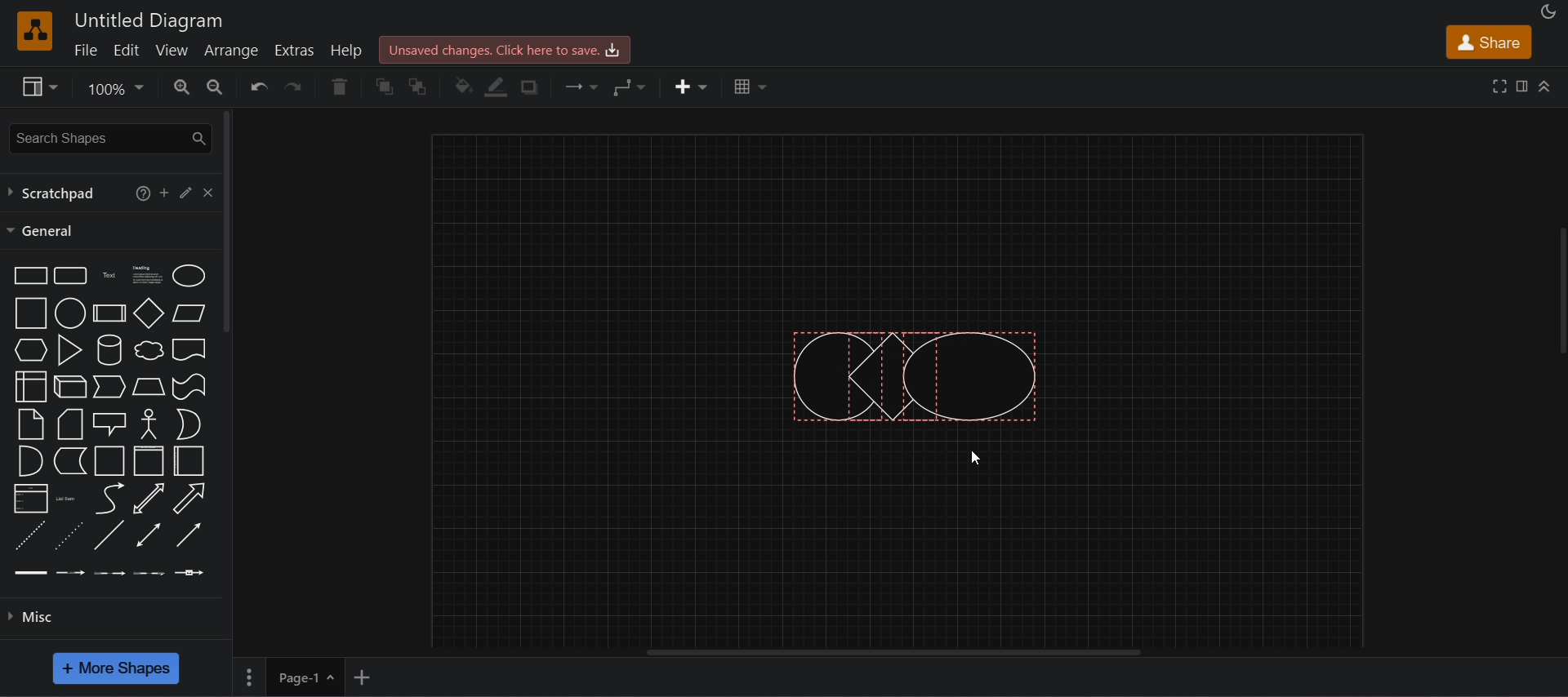 The width and height of the screenshot is (1568, 697). Describe the element at coordinates (31, 571) in the screenshot. I see `link` at that location.